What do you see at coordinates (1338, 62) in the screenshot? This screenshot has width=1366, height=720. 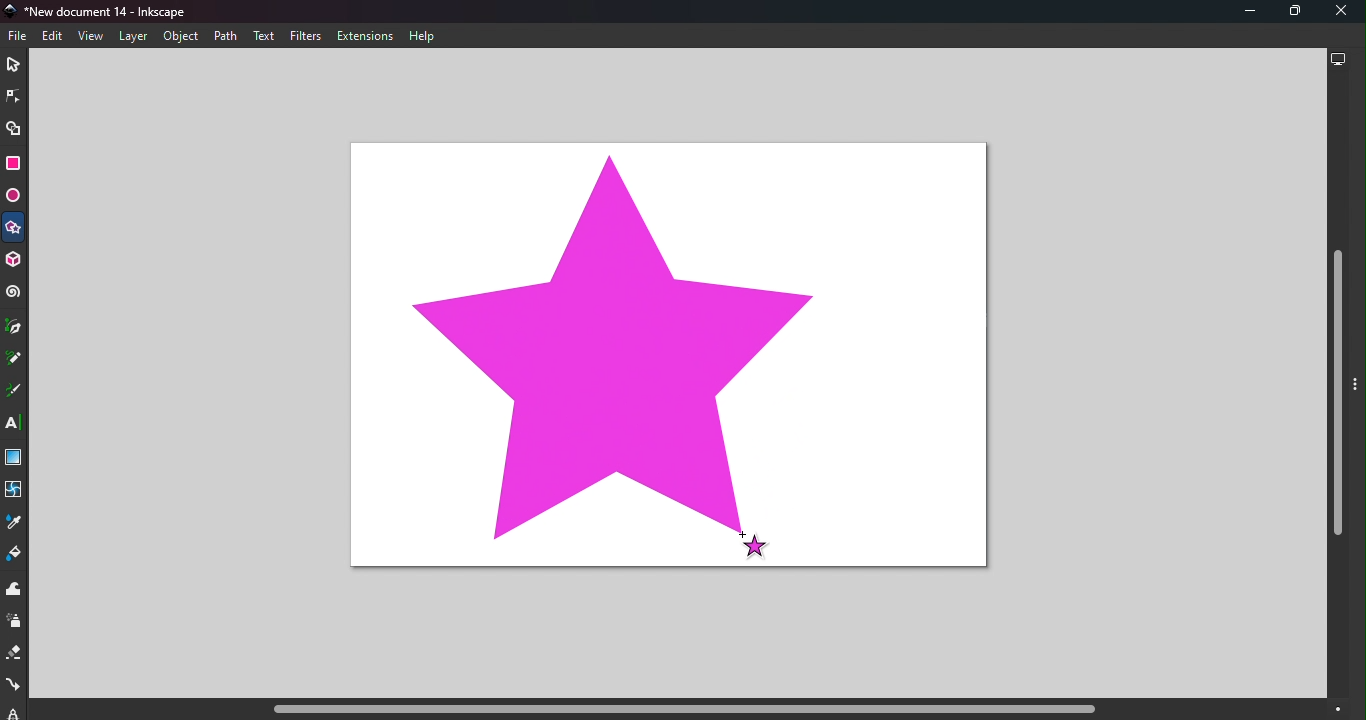 I see `Display options` at bounding box center [1338, 62].